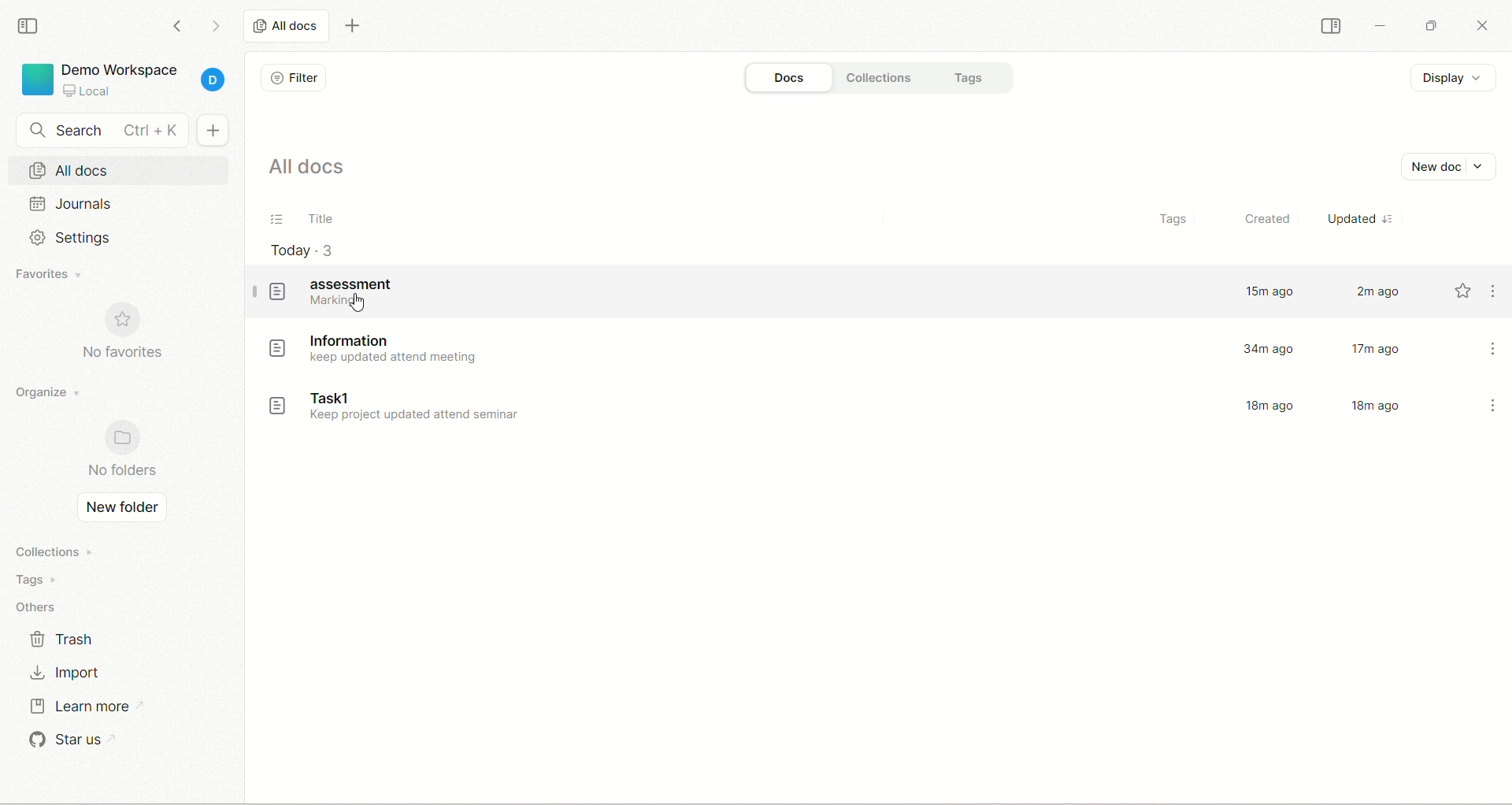  I want to click on icon, so click(125, 437).